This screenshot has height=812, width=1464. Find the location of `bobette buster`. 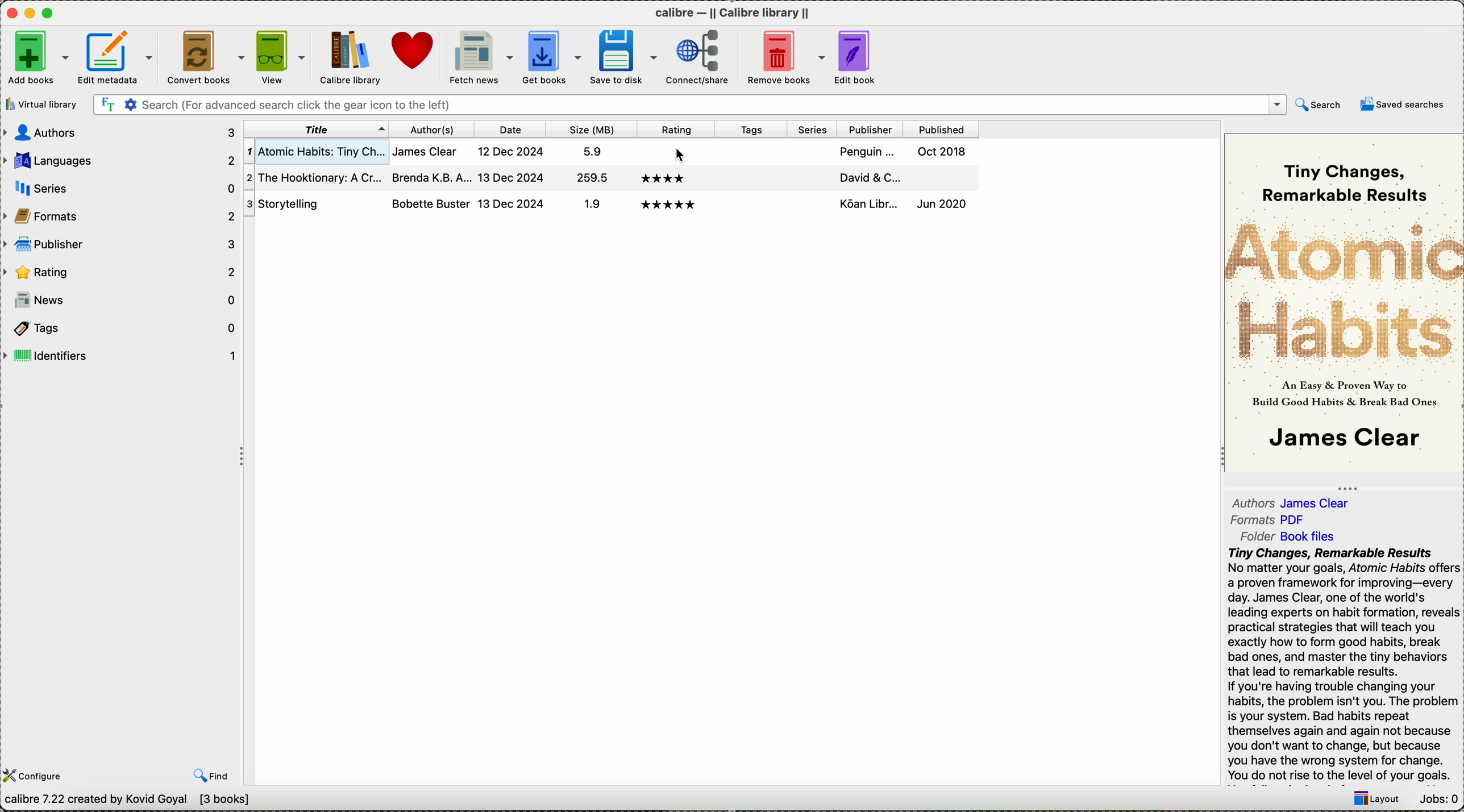

bobette buster is located at coordinates (430, 203).